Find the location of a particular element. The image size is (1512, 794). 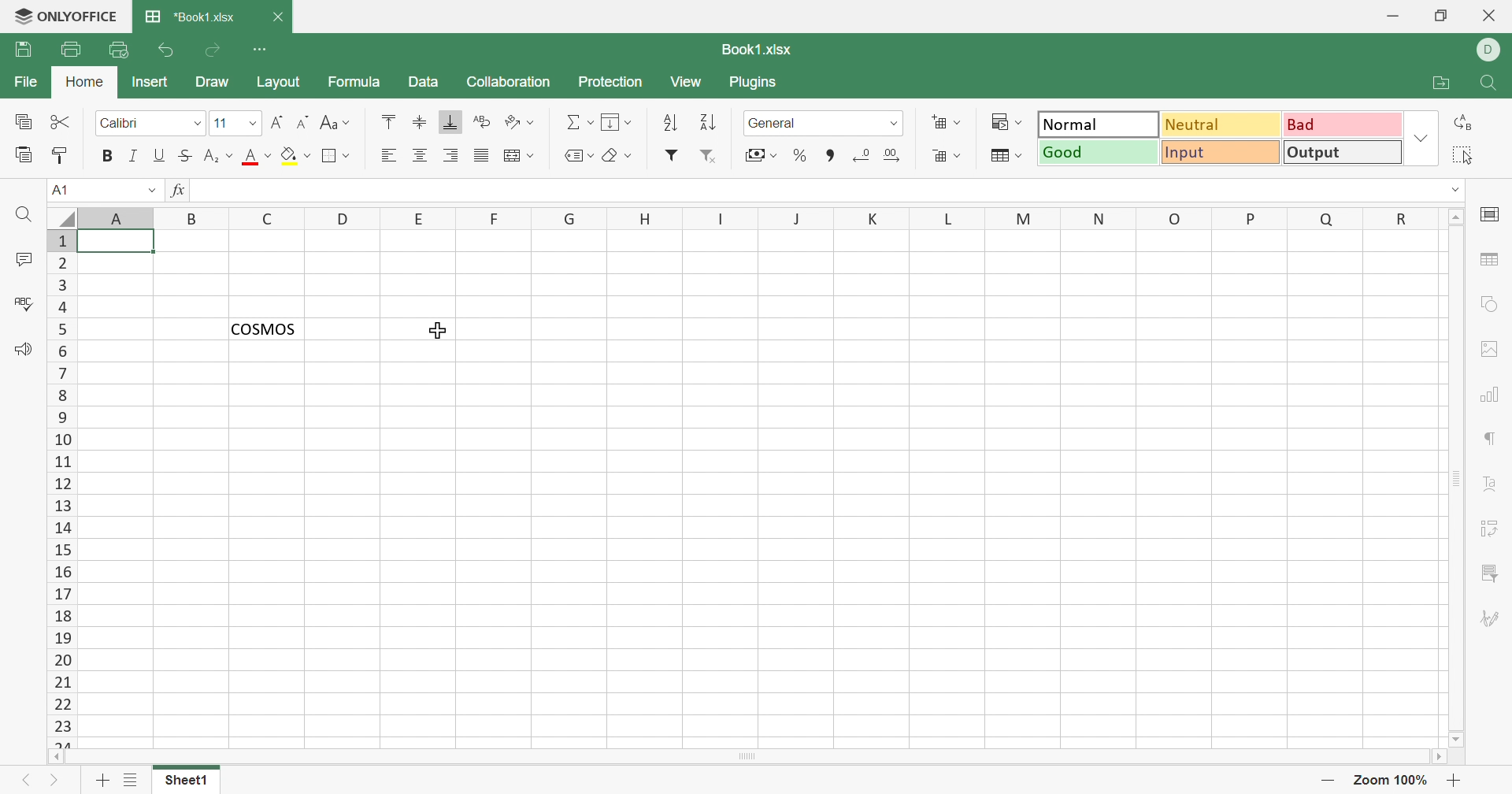

List of sheets is located at coordinates (133, 779).